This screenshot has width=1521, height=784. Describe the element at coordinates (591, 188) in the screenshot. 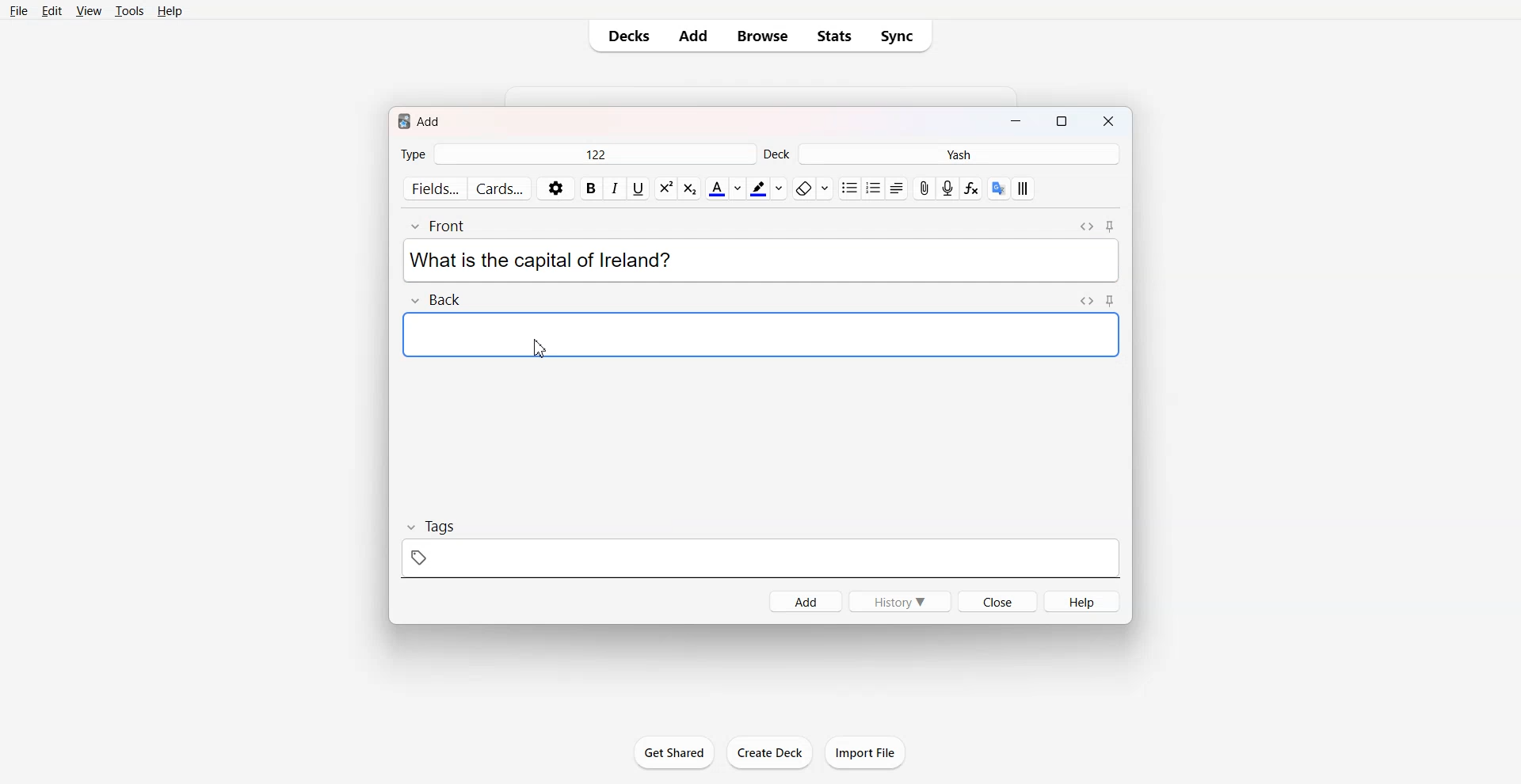

I see `Bold` at that location.